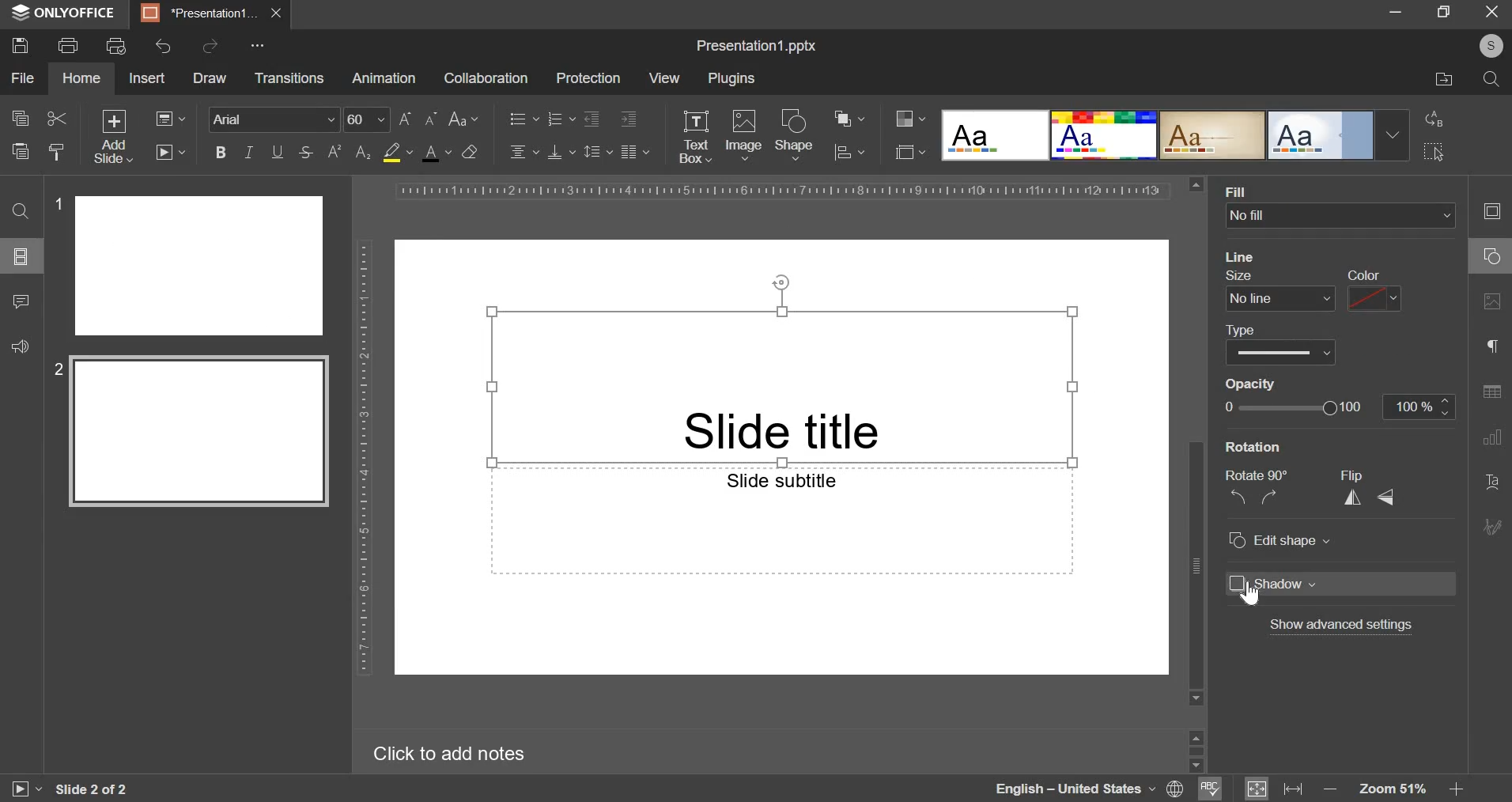 Image resolution: width=1512 pixels, height=802 pixels. Describe the element at coordinates (1299, 407) in the screenshot. I see `opacity bar` at that location.